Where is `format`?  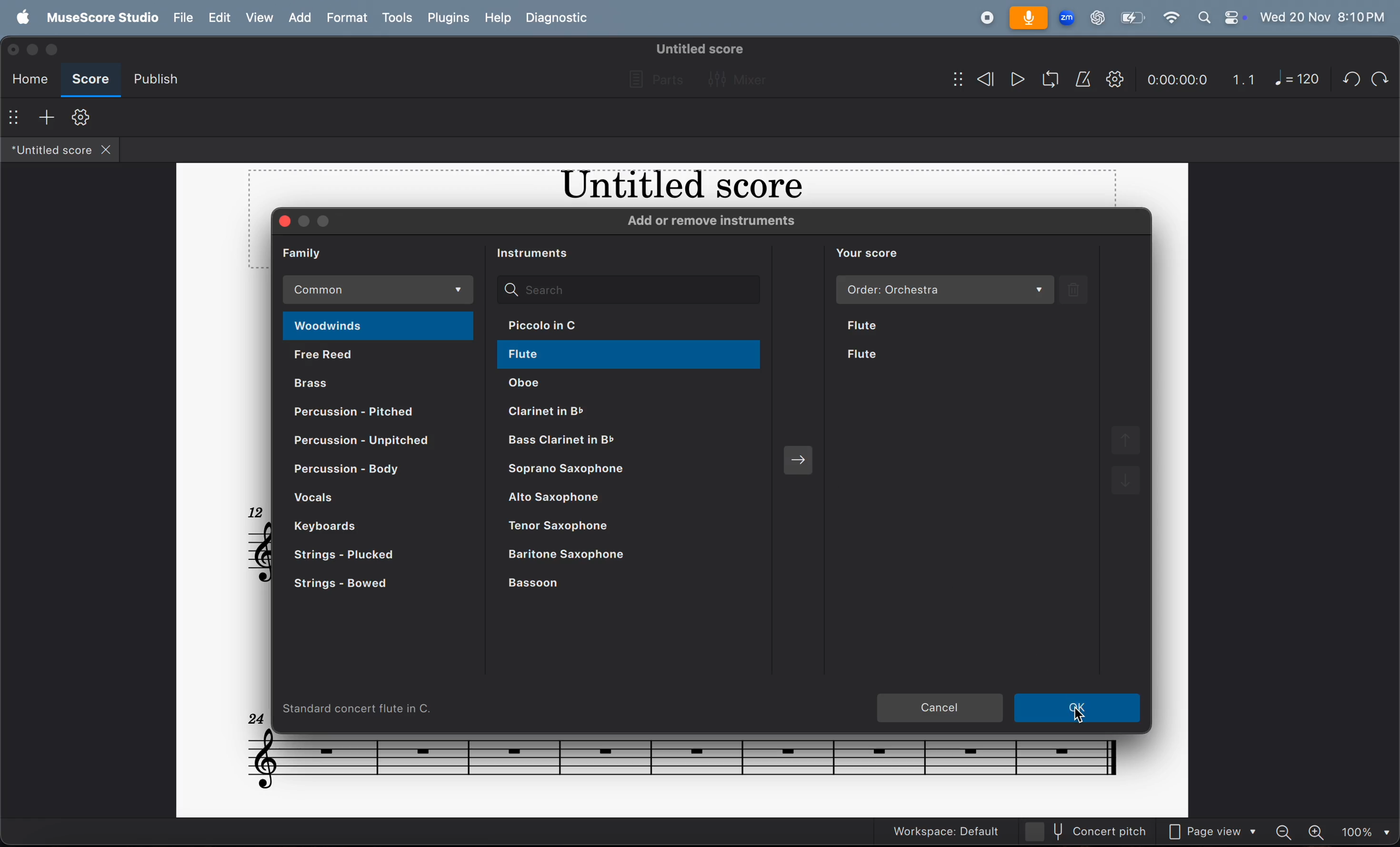 format is located at coordinates (349, 18).